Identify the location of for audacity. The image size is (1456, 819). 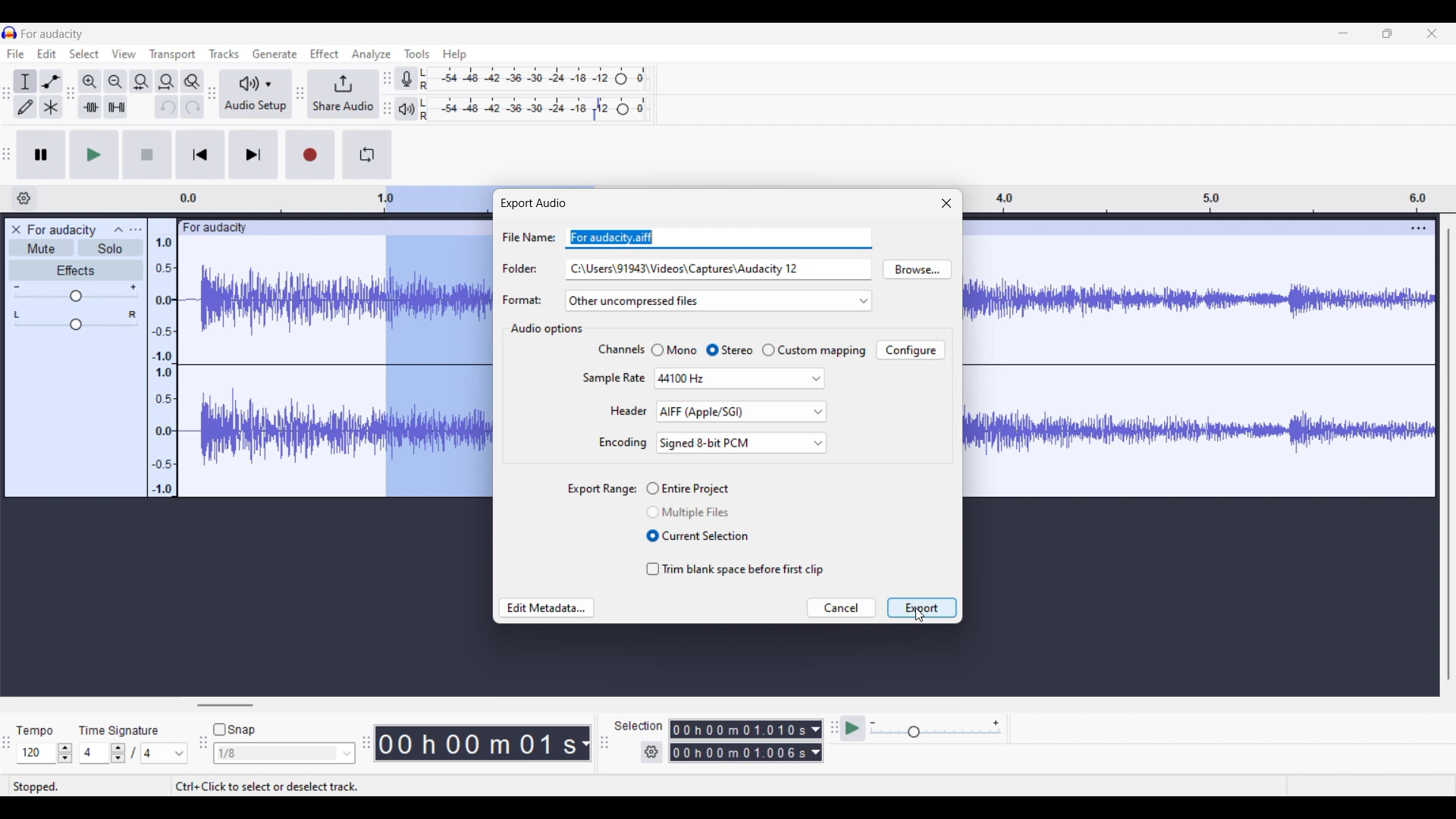
(62, 231).